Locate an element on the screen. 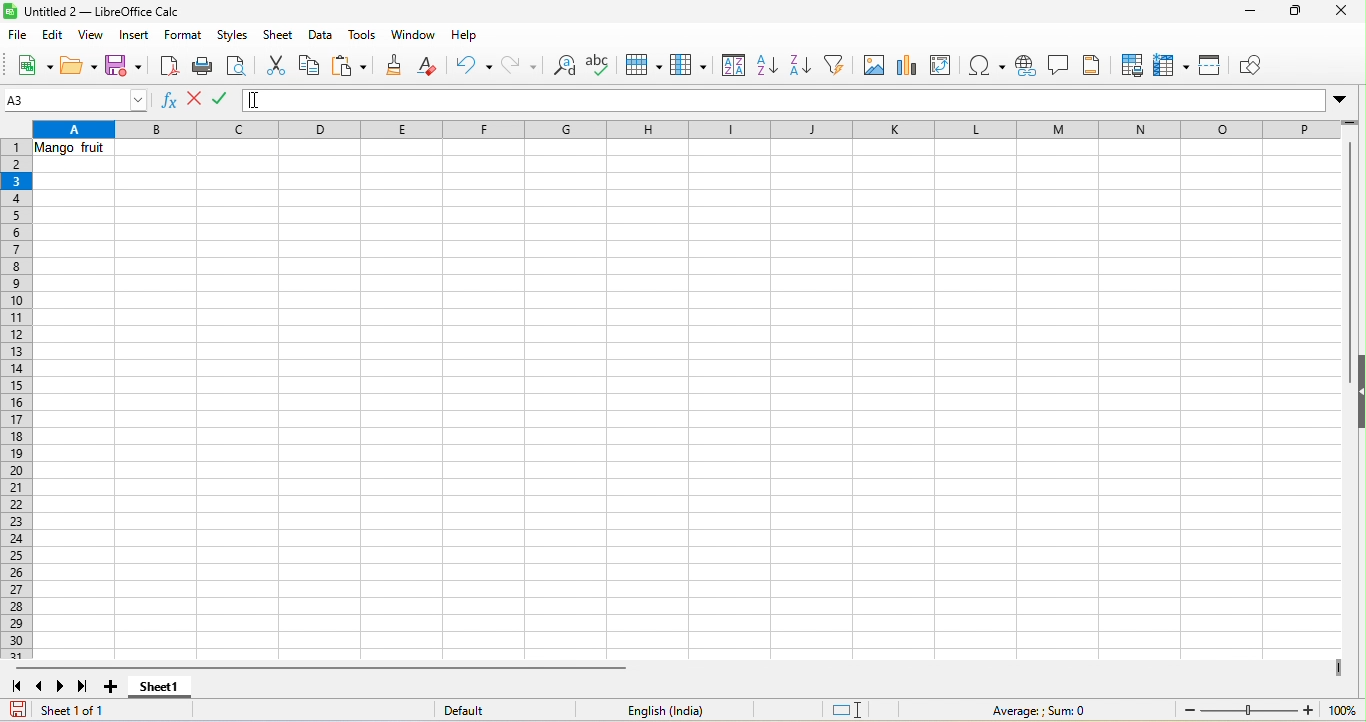 Image resolution: width=1366 pixels, height=722 pixels. save is located at coordinates (123, 64).